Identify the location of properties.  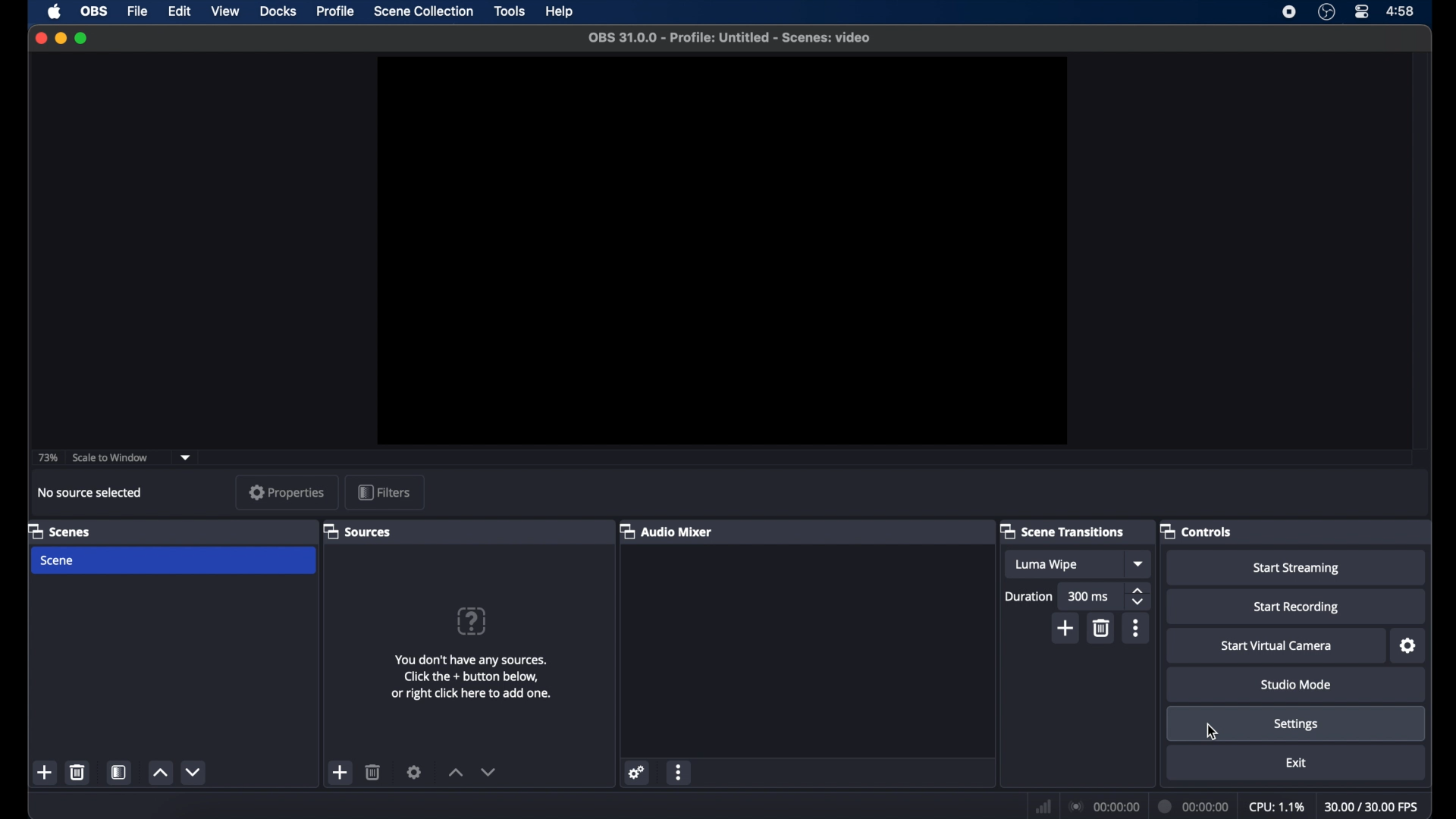
(287, 492).